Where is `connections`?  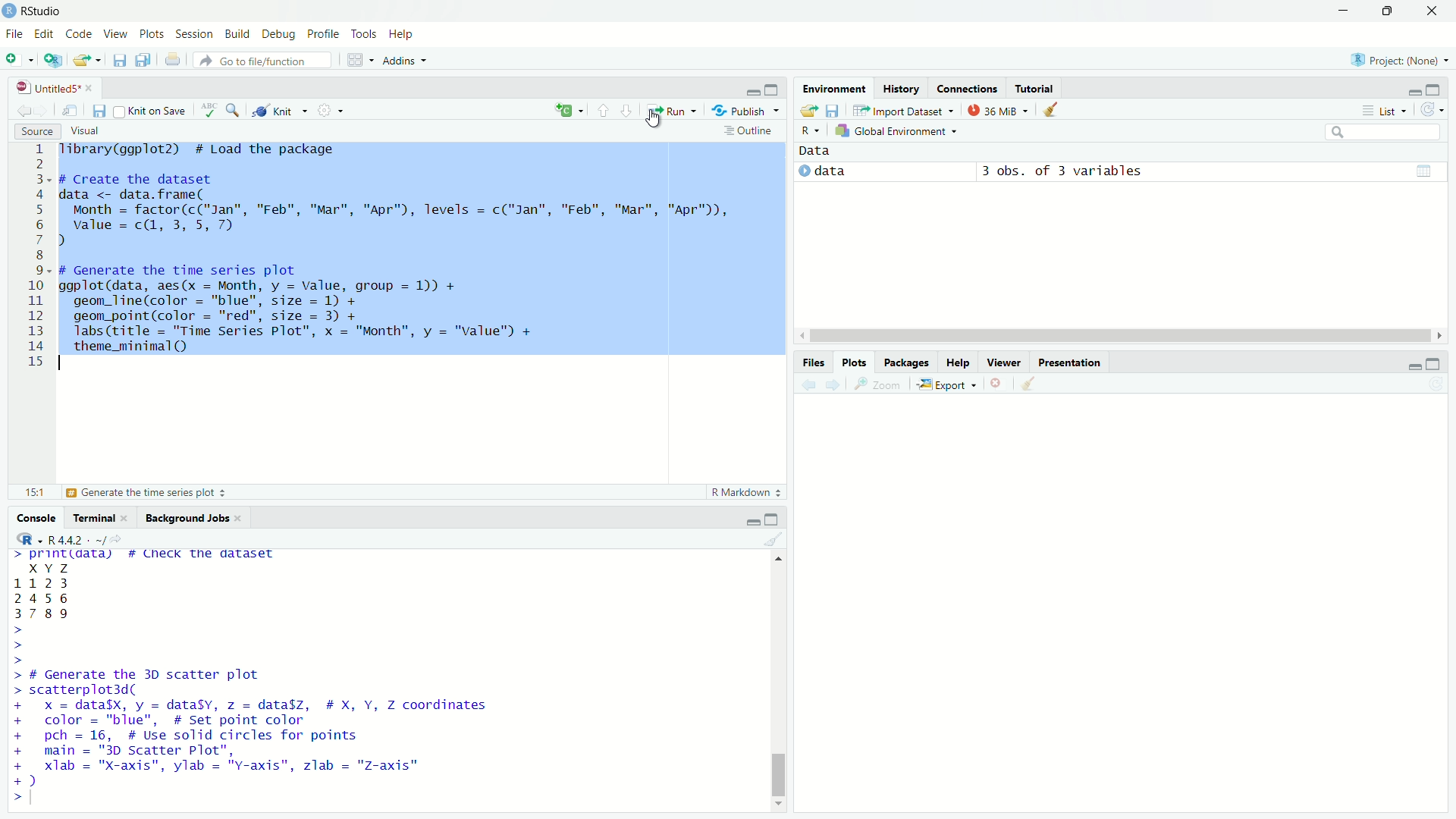
connections is located at coordinates (968, 86).